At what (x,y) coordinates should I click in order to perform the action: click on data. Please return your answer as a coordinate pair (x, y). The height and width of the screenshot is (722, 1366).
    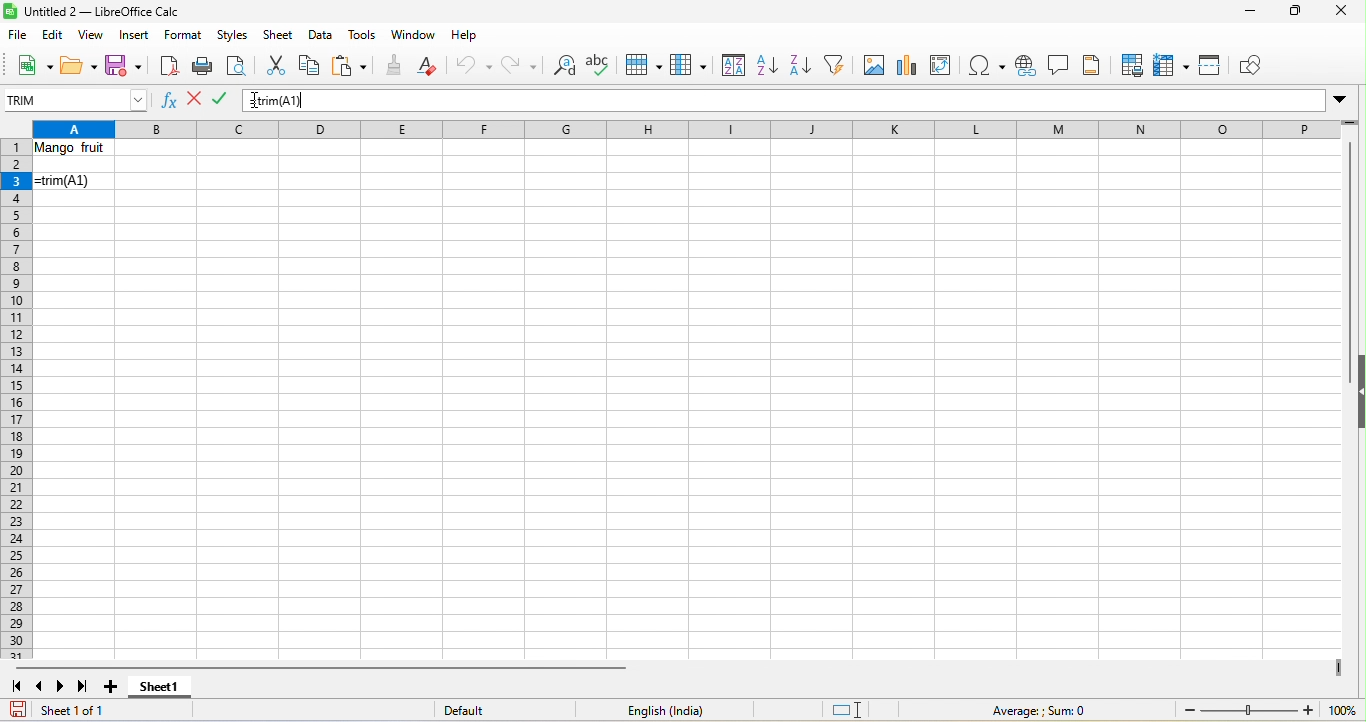
    Looking at the image, I should click on (321, 36).